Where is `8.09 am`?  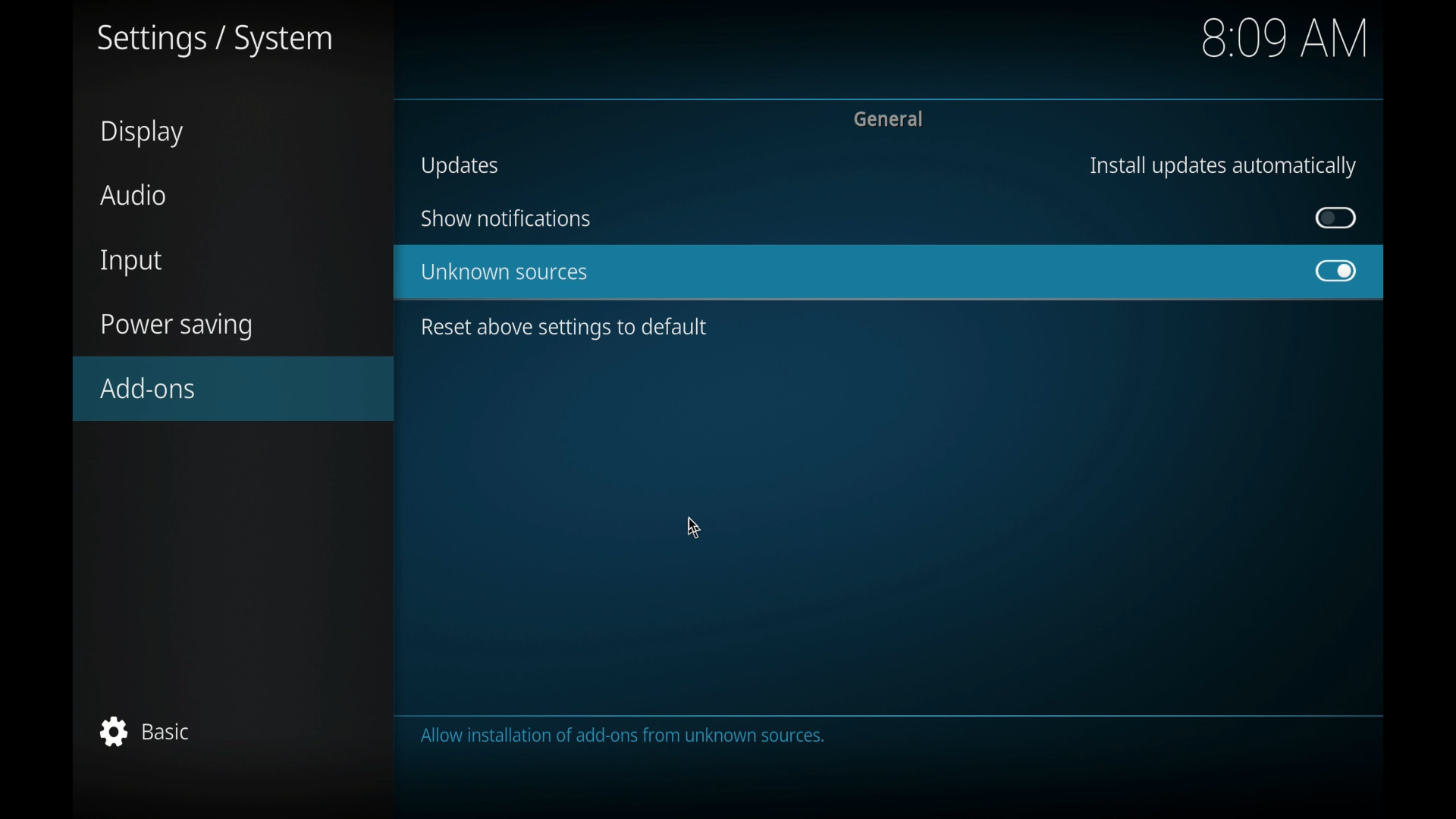 8.09 am is located at coordinates (1287, 37).